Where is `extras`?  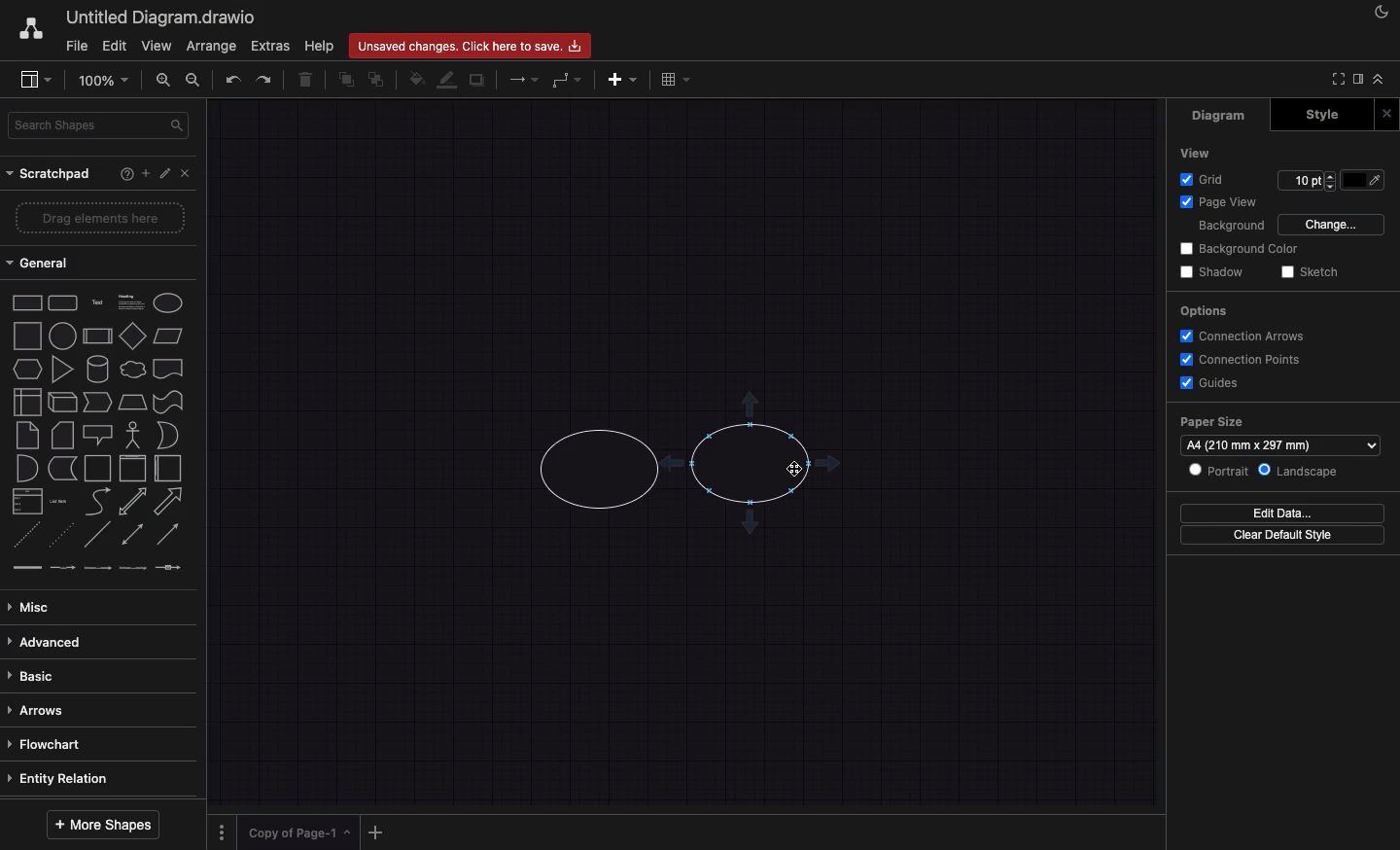 extras is located at coordinates (270, 46).